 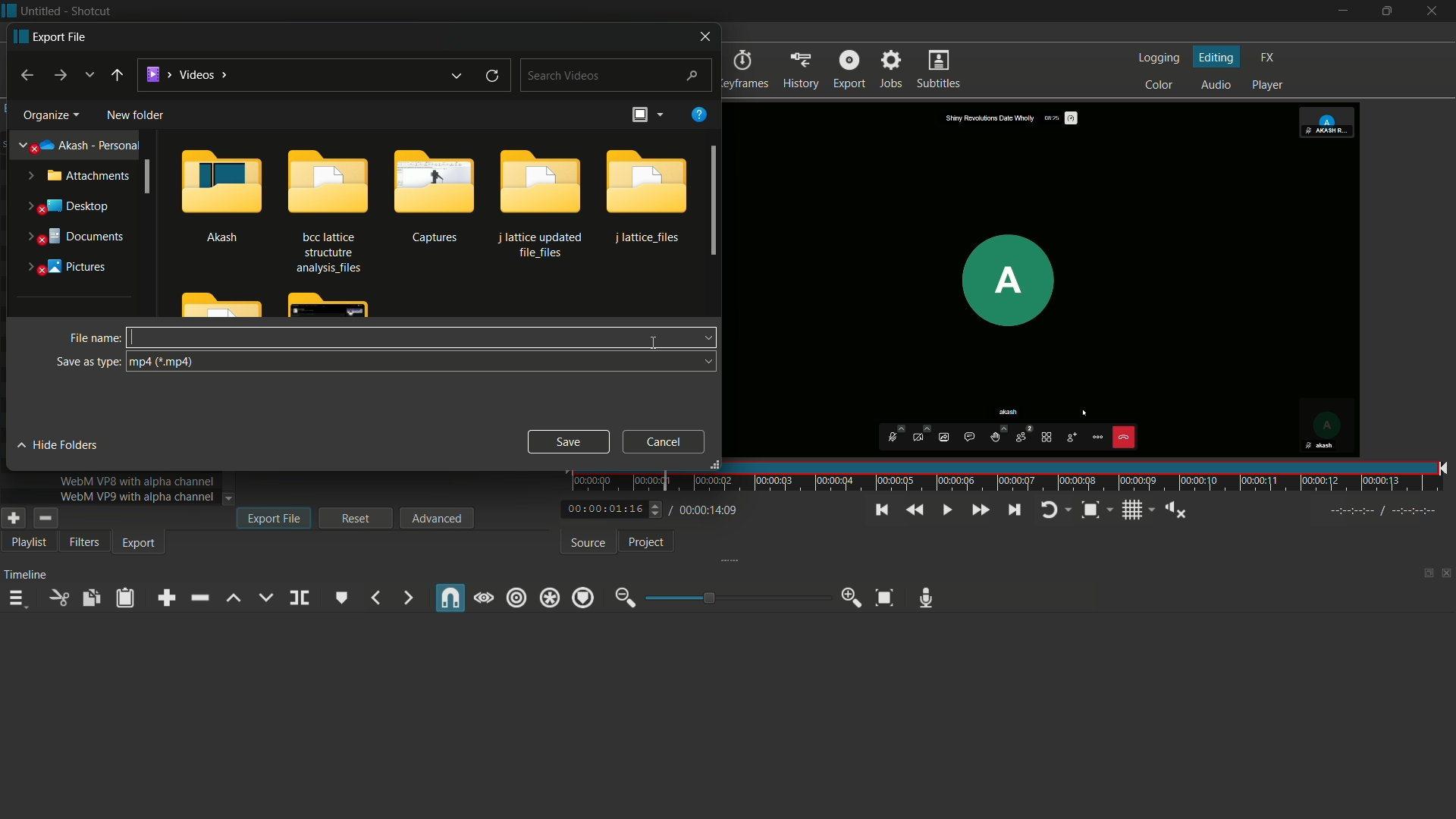 I want to click on close timeline, so click(x=1447, y=575).